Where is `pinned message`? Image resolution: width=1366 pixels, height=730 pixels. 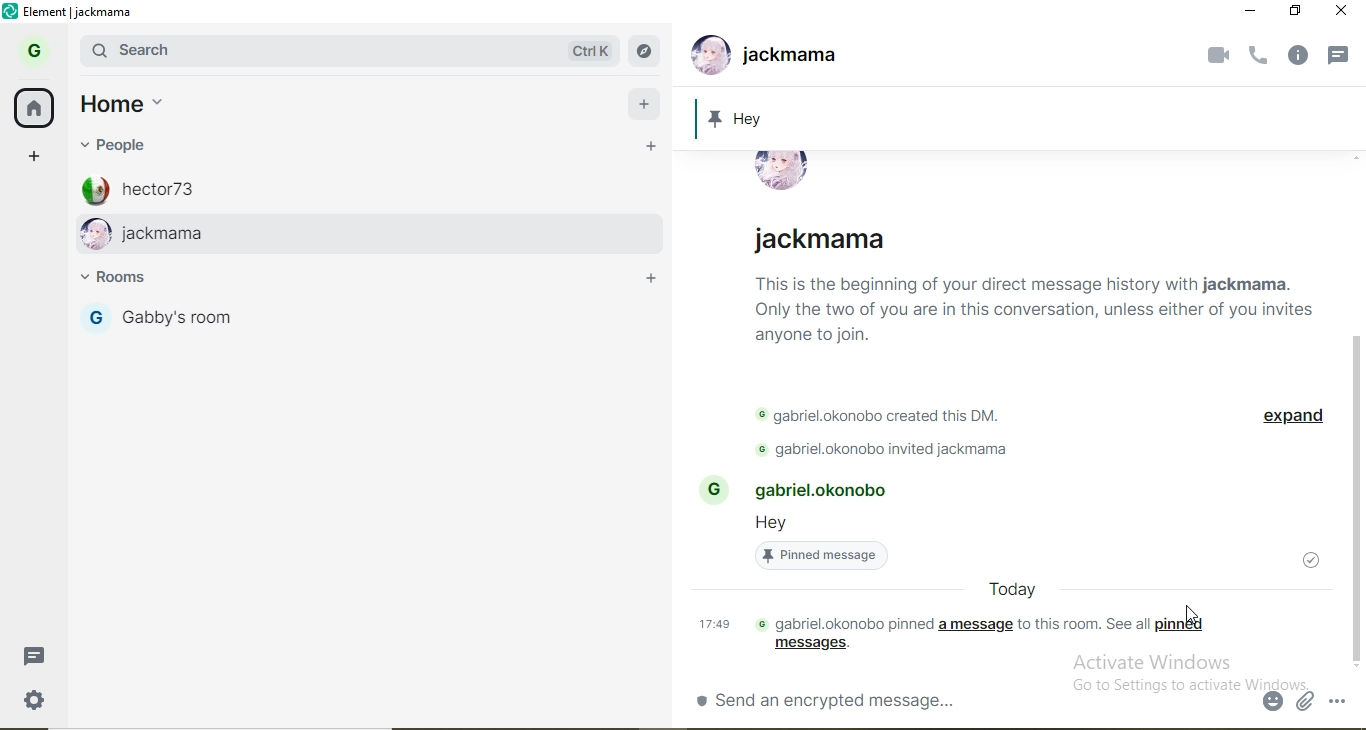
pinned message is located at coordinates (1026, 116).